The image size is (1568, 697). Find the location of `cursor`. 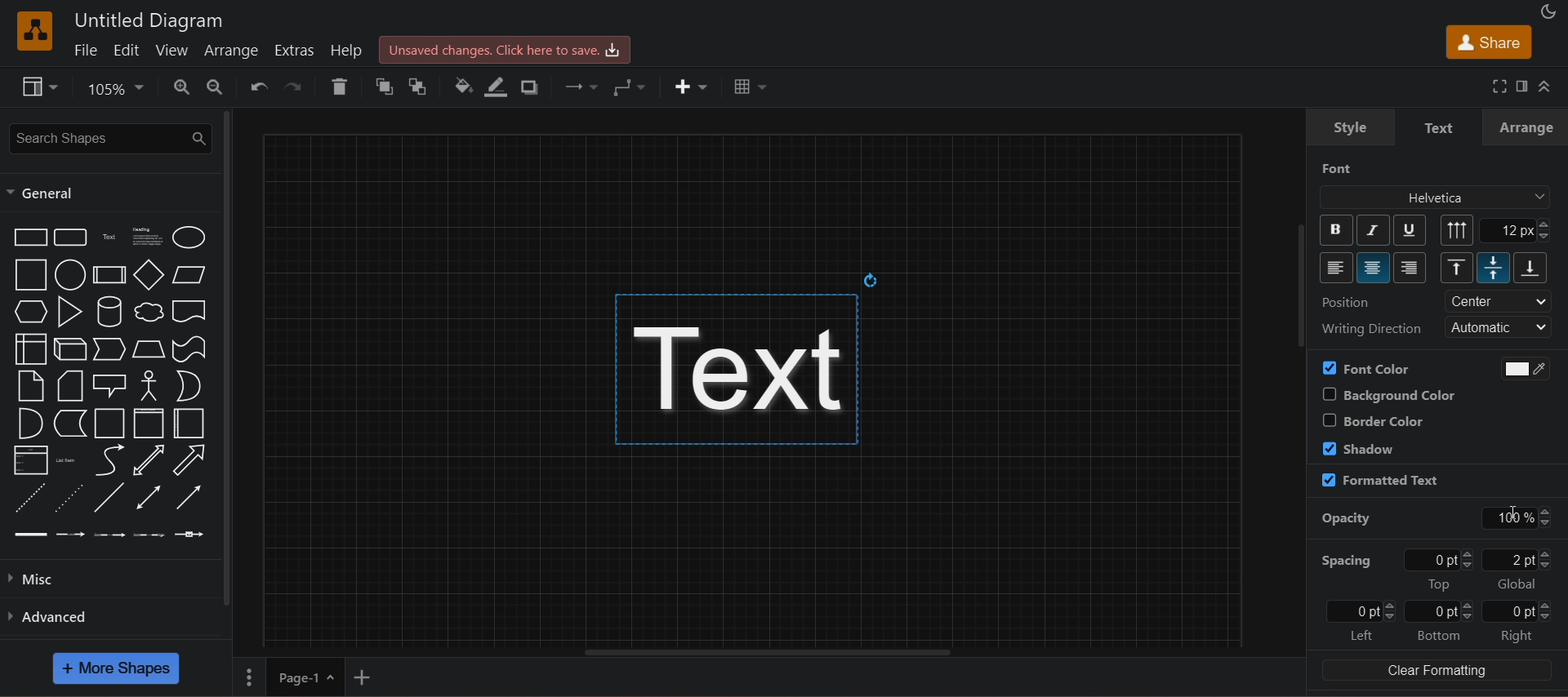

cursor is located at coordinates (1511, 512).